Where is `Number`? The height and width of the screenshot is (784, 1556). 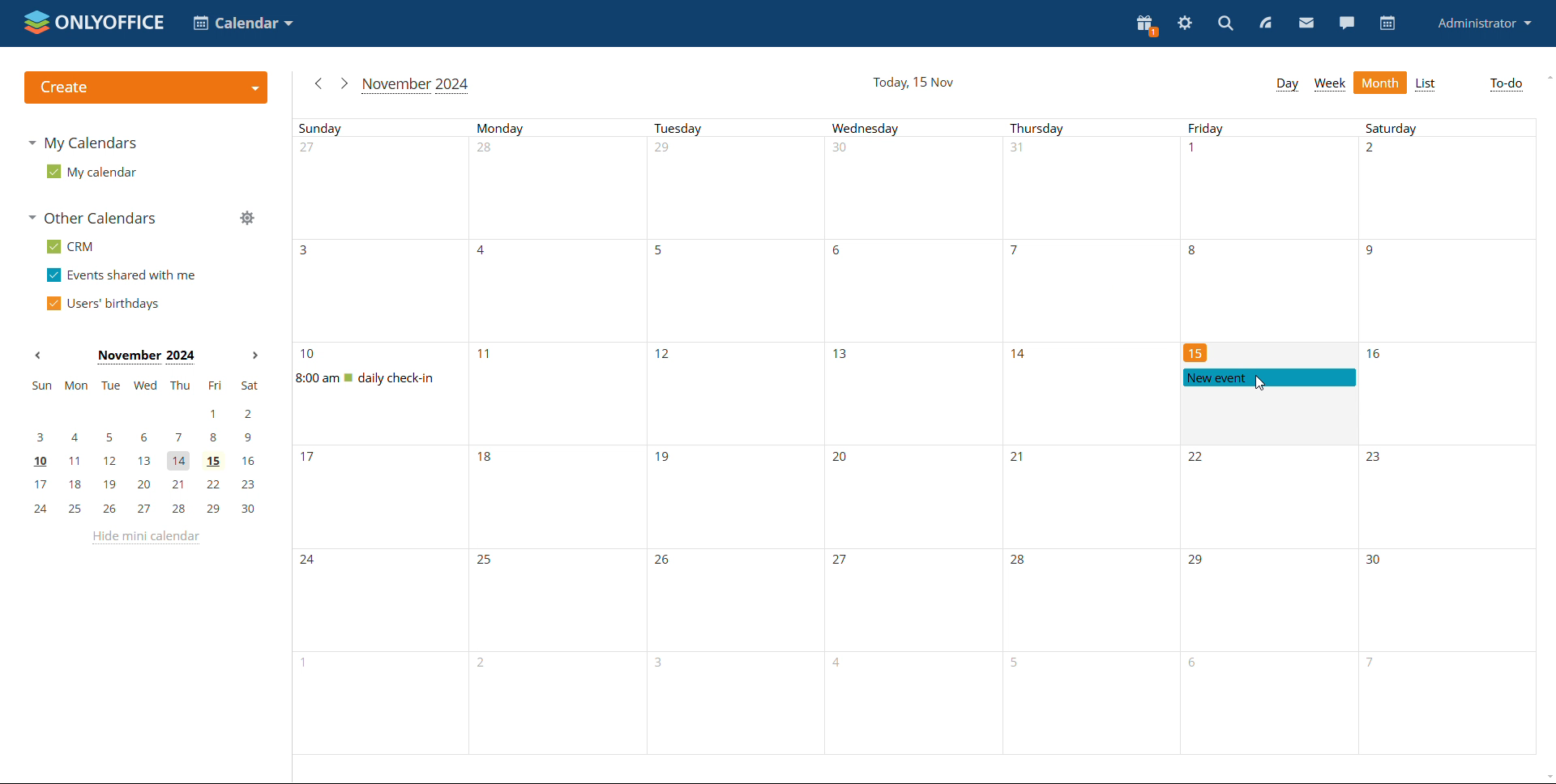
Number is located at coordinates (1020, 355).